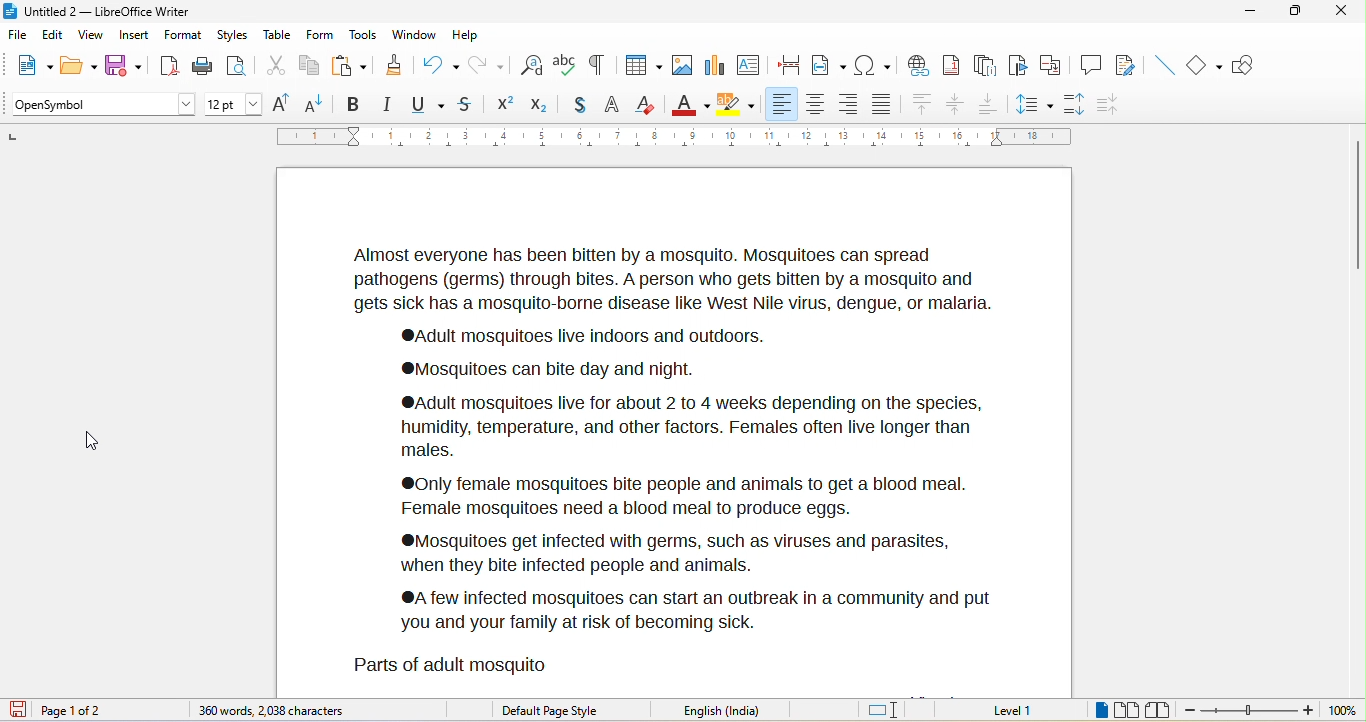  What do you see at coordinates (506, 104) in the screenshot?
I see `superscript` at bounding box center [506, 104].